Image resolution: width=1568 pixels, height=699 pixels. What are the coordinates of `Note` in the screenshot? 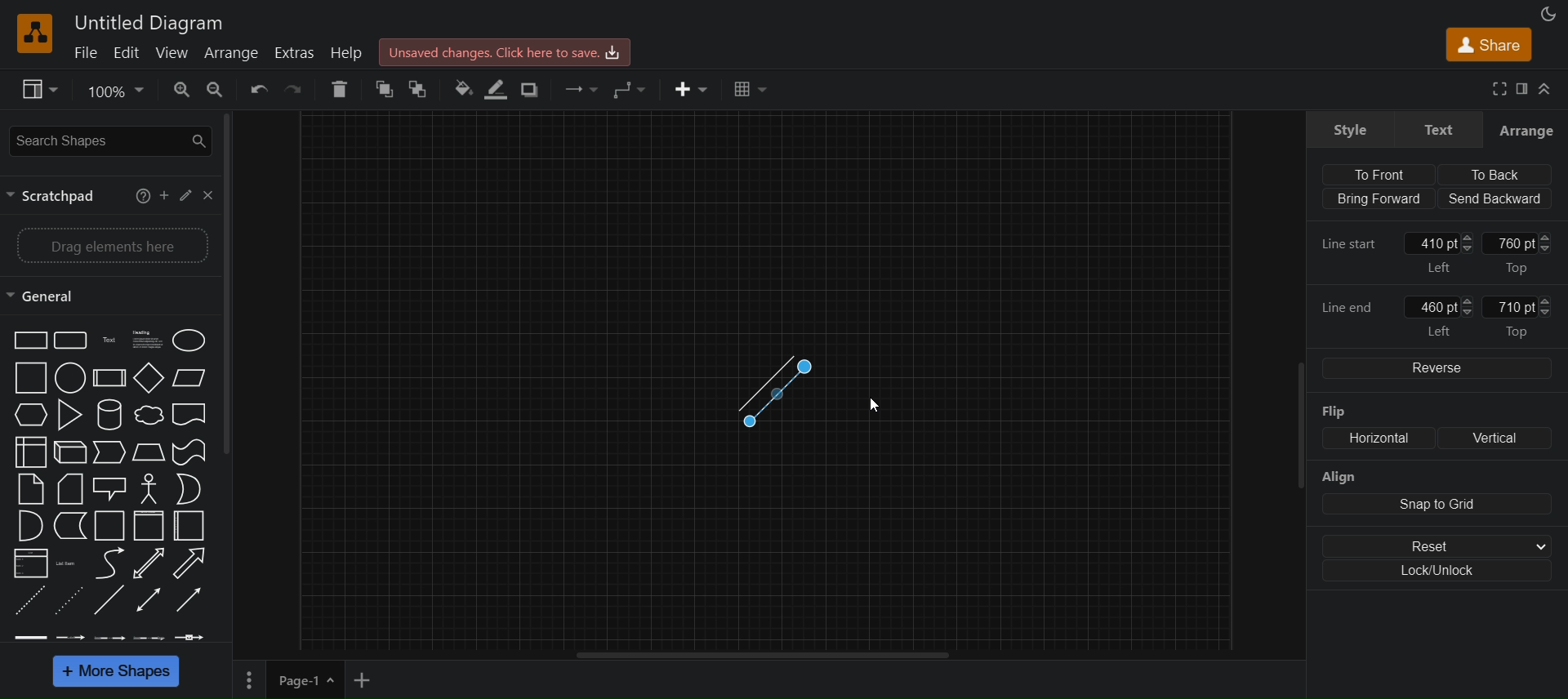 It's located at (30, 489).